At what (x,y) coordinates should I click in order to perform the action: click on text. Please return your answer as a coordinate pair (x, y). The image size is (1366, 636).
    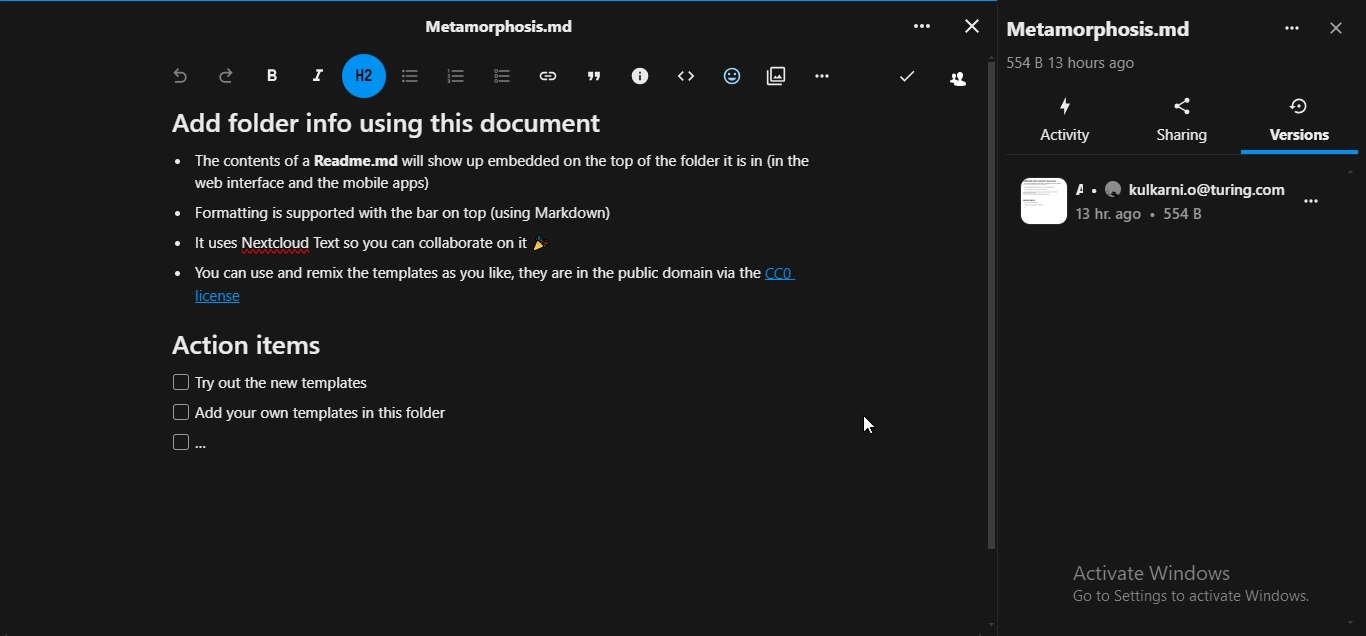
    Looking at the image, I should click on (486, 282).